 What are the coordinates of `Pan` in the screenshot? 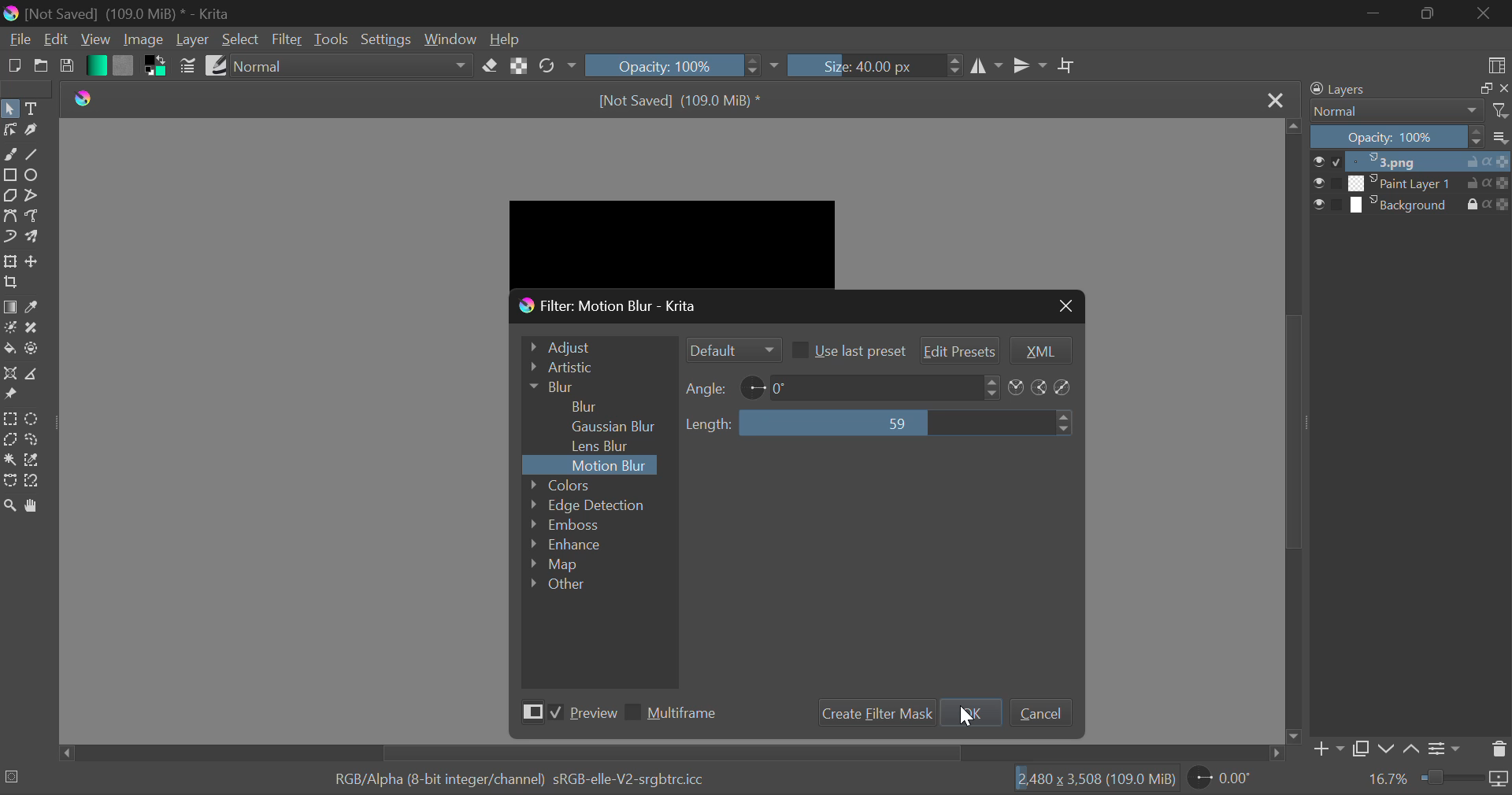 It's located at (38, 506).